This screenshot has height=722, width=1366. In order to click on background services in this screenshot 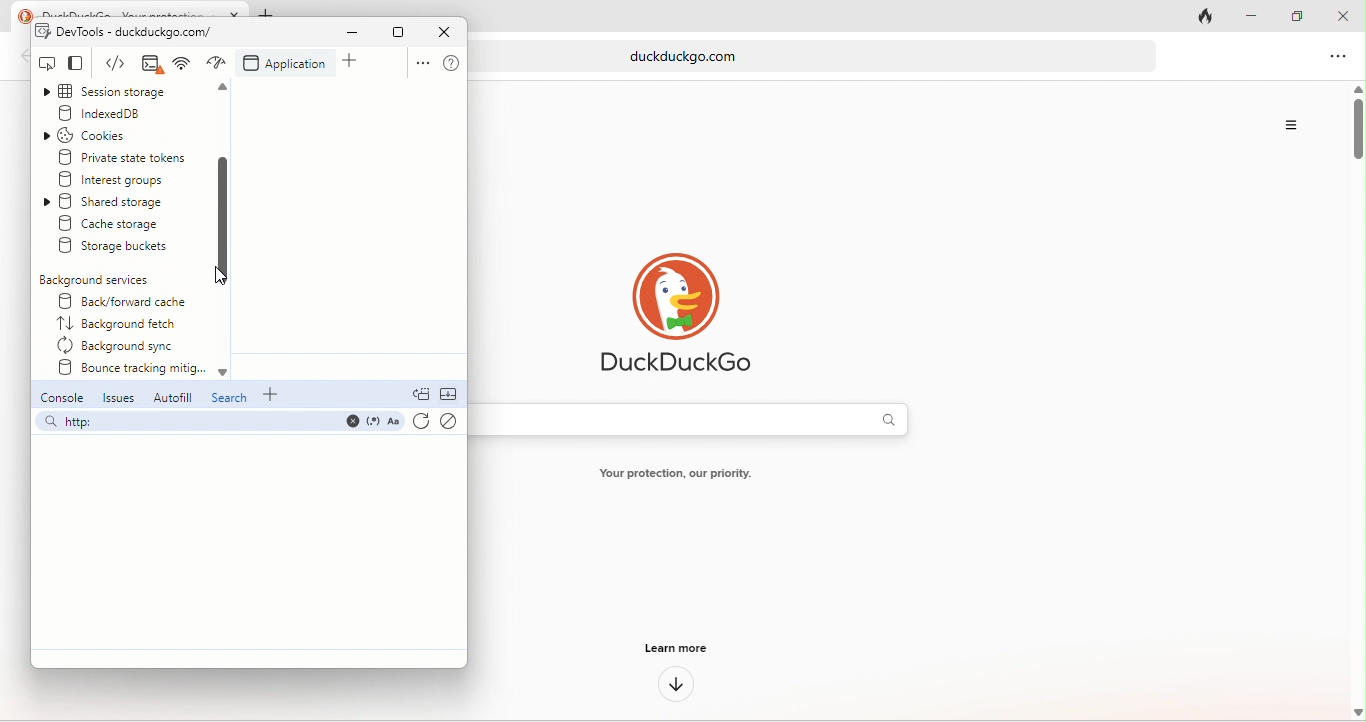, I will do `click(98, 280)`.